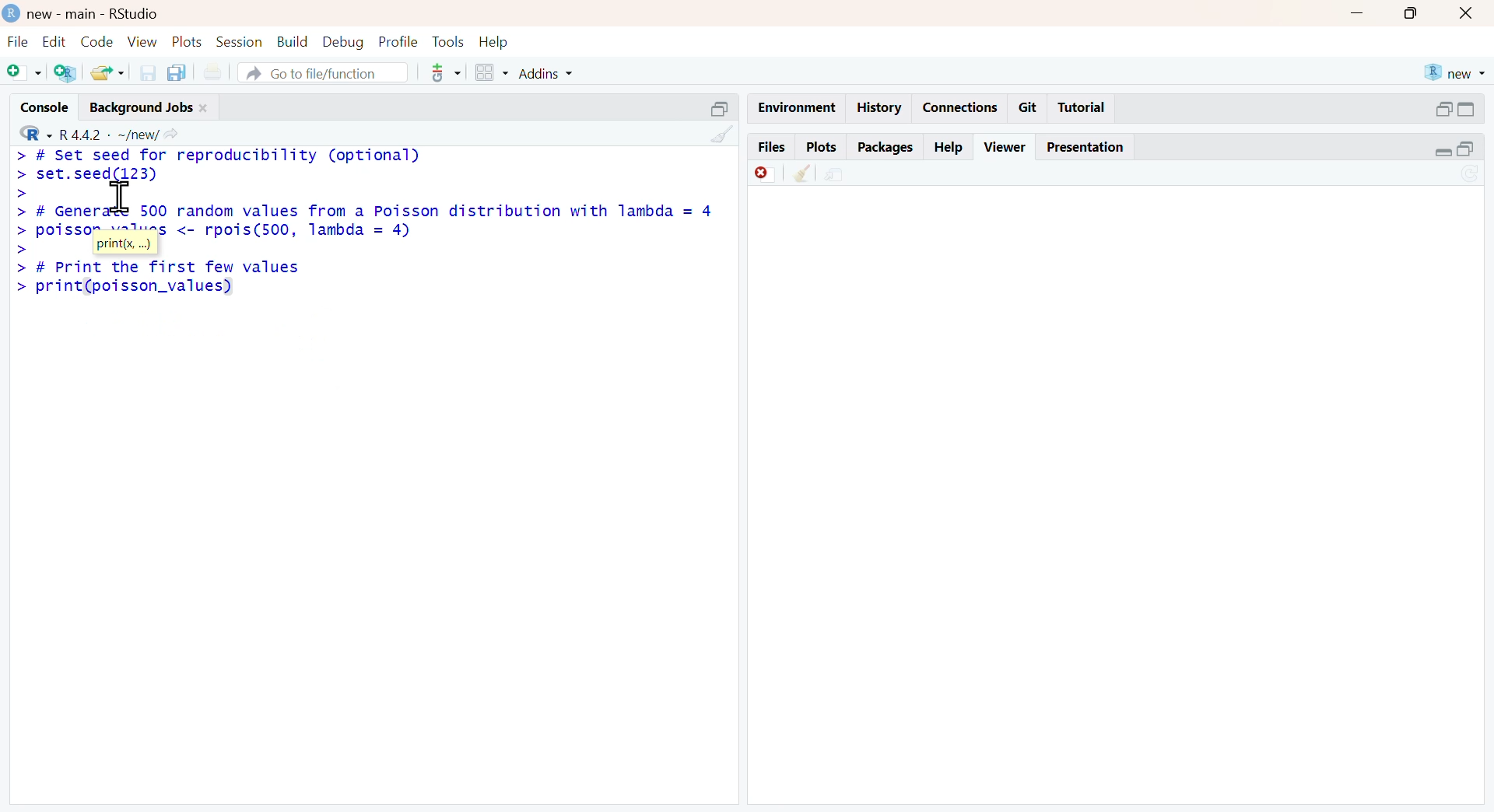 This screenshot has width=1494, height=812. Describe the element at coordinates (364, 211) in the screenshot. I see `# Generate 500 random values from a Poisson distribution with lambda = 4` at that location.